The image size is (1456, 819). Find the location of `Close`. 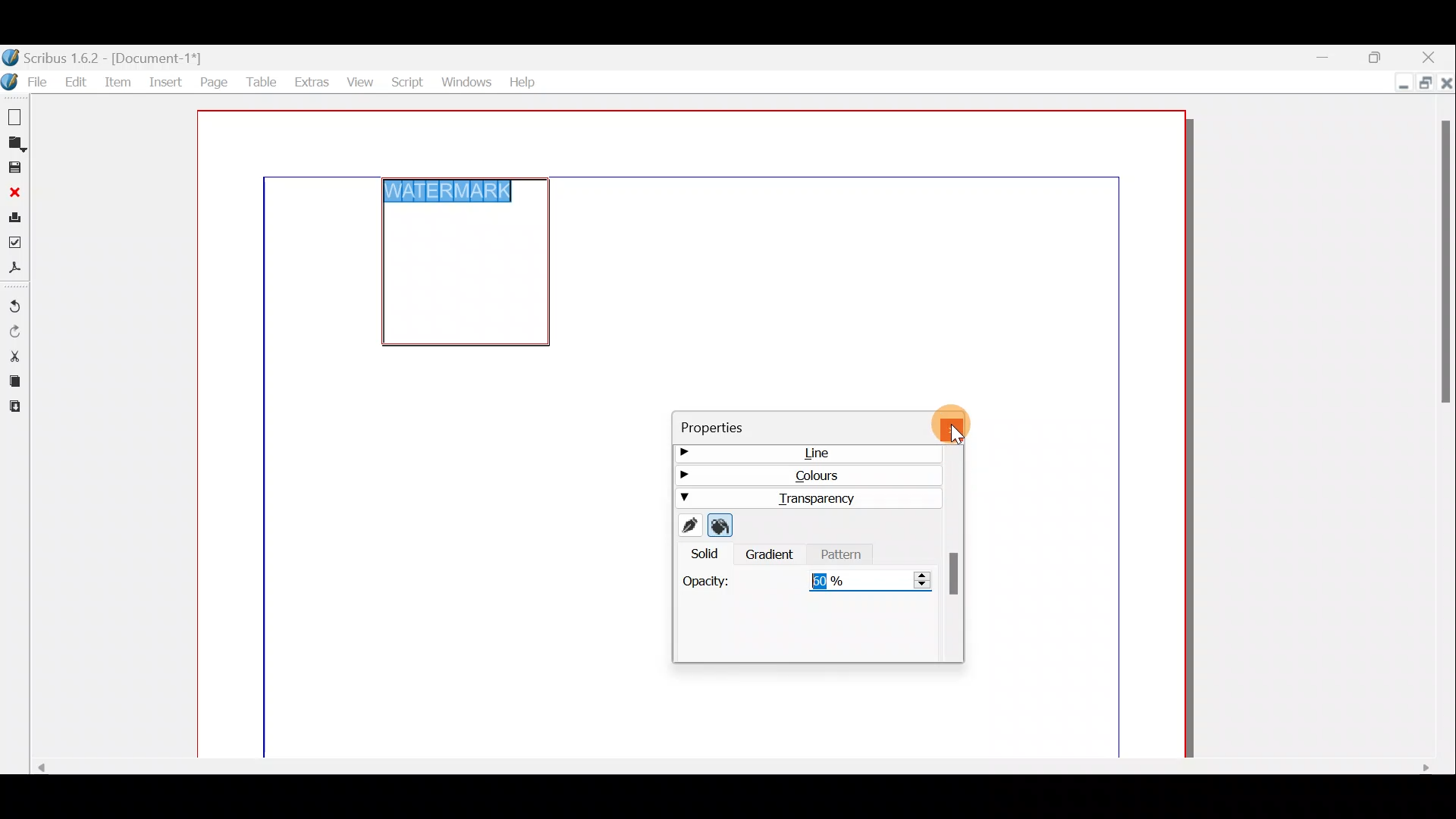

Close is located at coordinates (1432, 55).